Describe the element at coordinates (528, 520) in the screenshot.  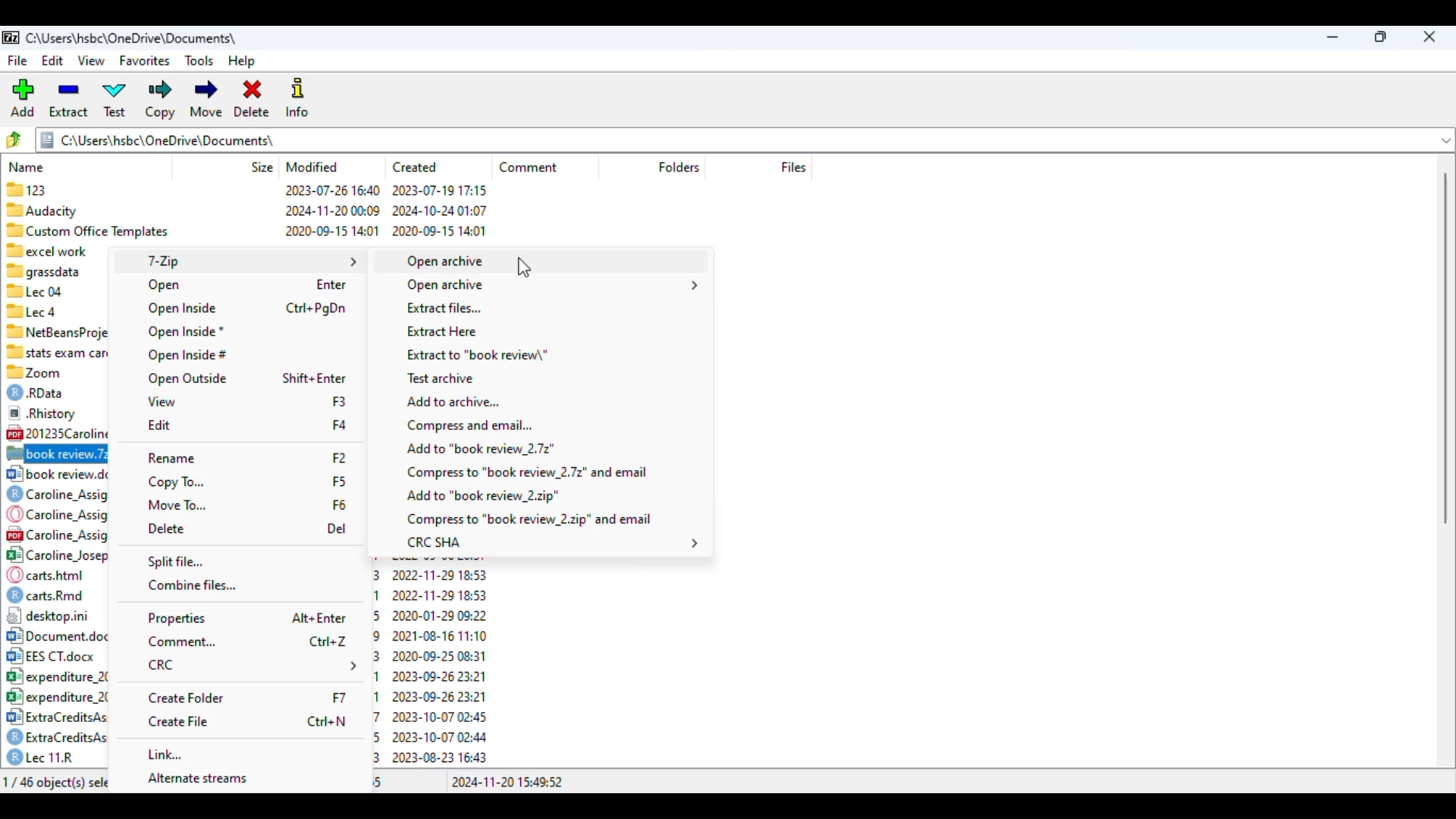
I see `compress to .zip file and email` at that location.